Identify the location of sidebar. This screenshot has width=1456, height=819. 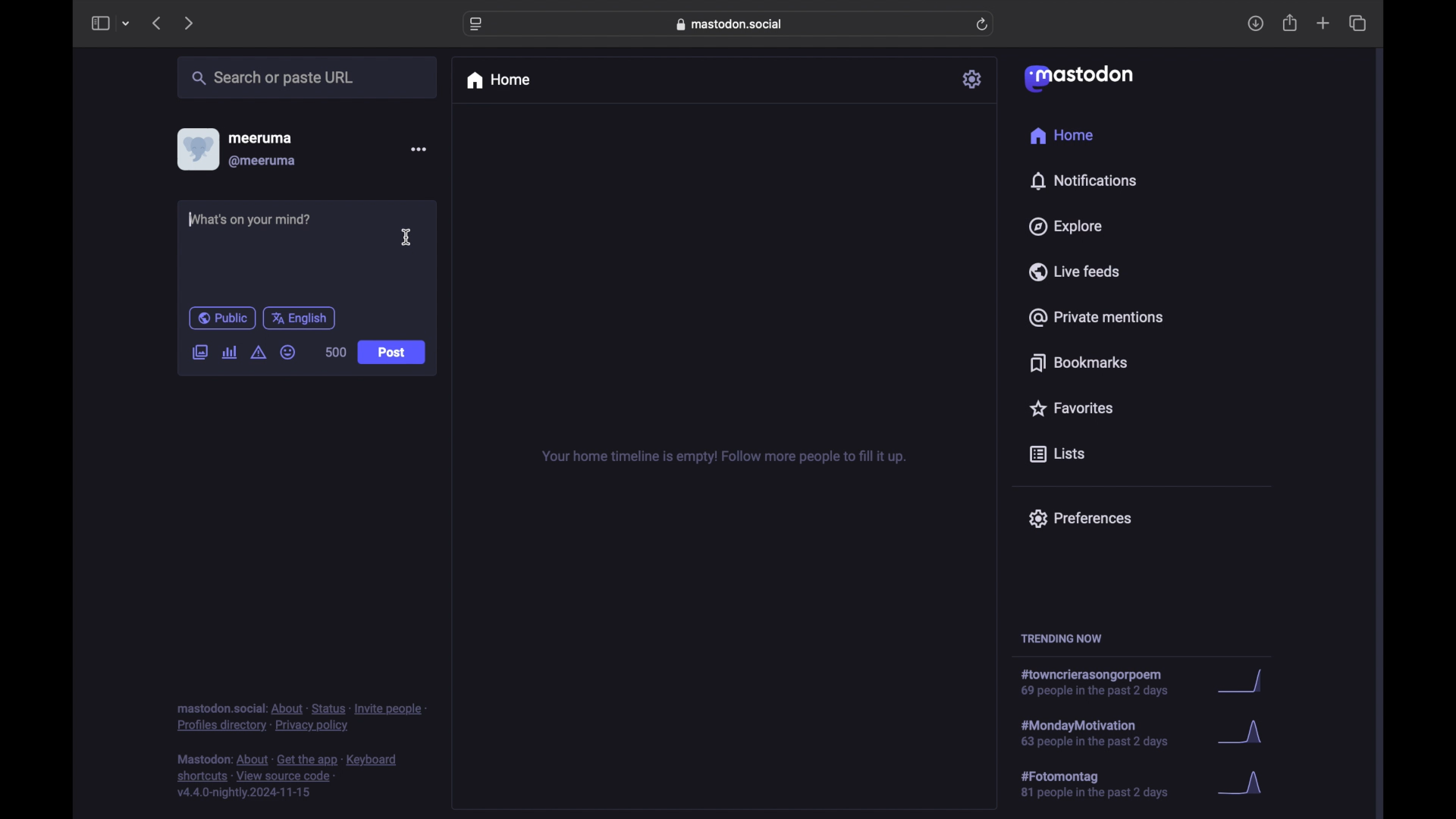
(99, 23).